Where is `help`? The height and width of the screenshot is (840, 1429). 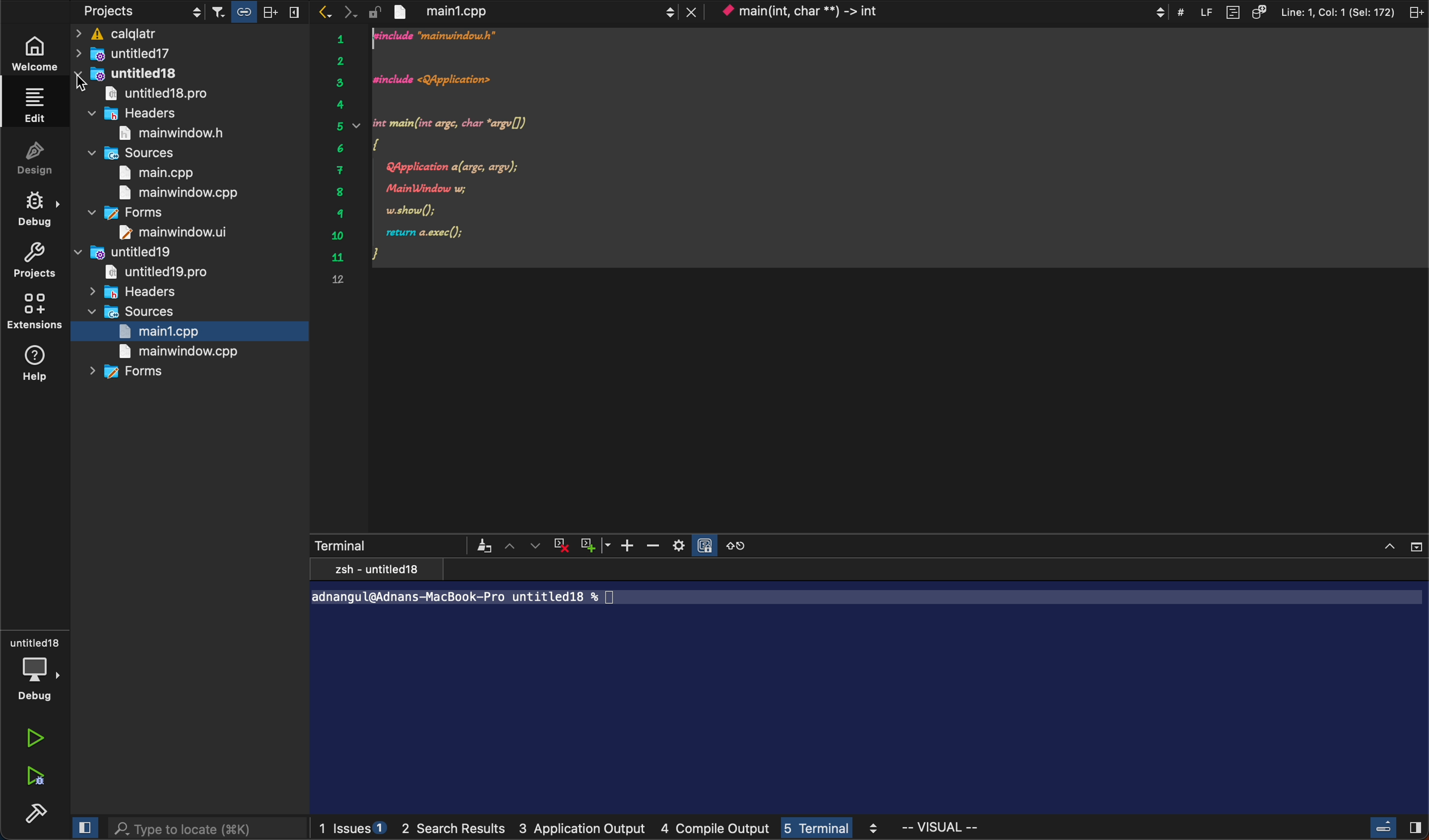
help is located at coordinates (38, 367).